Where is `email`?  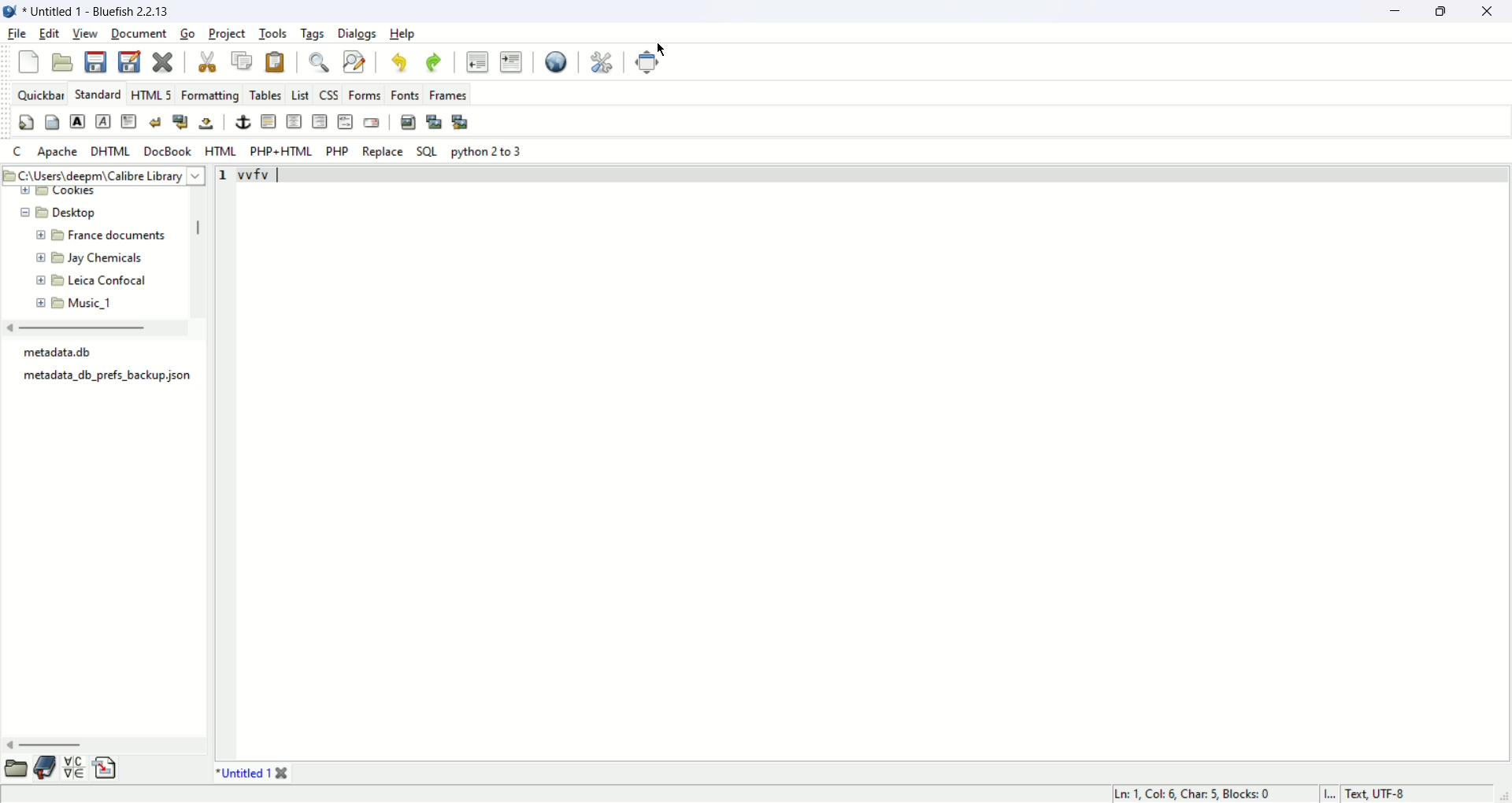 email is located at coordinates (375, 120).